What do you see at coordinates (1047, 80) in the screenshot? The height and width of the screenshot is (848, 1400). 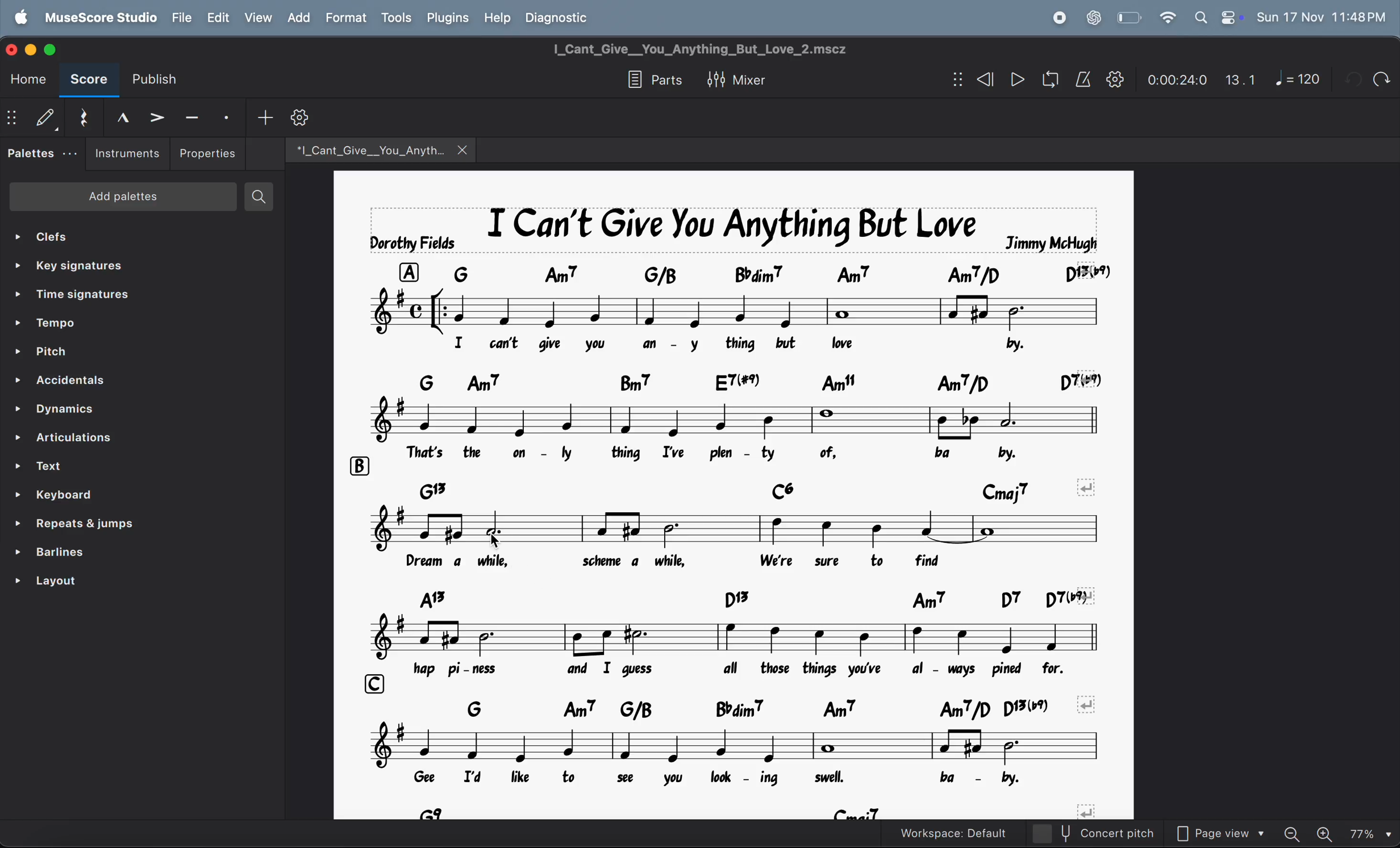 I see `loop playback` at bounding box center [1047, 80].